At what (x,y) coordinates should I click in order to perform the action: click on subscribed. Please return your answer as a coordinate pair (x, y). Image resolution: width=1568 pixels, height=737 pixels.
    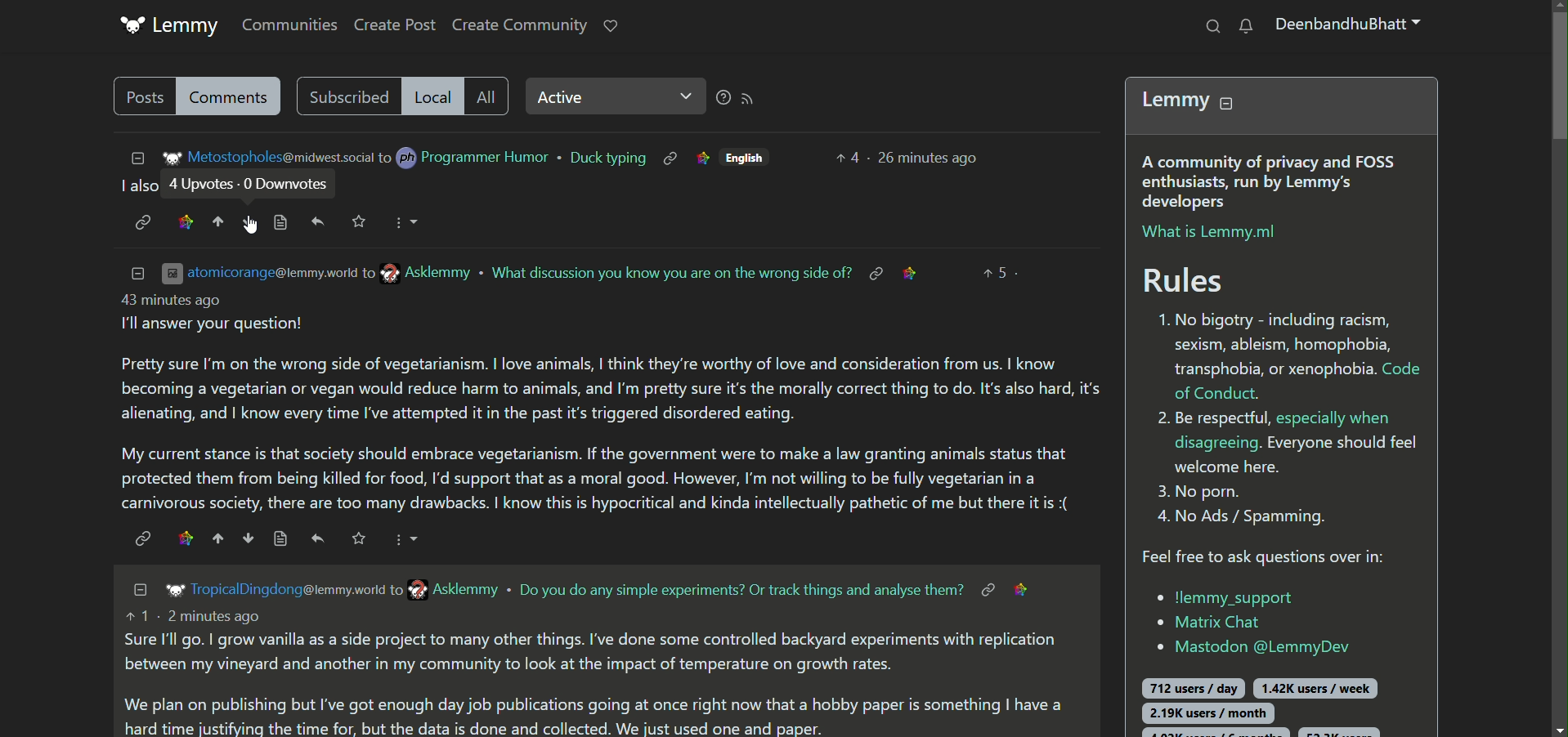
    Looking at the image, I should click on (344, 96).